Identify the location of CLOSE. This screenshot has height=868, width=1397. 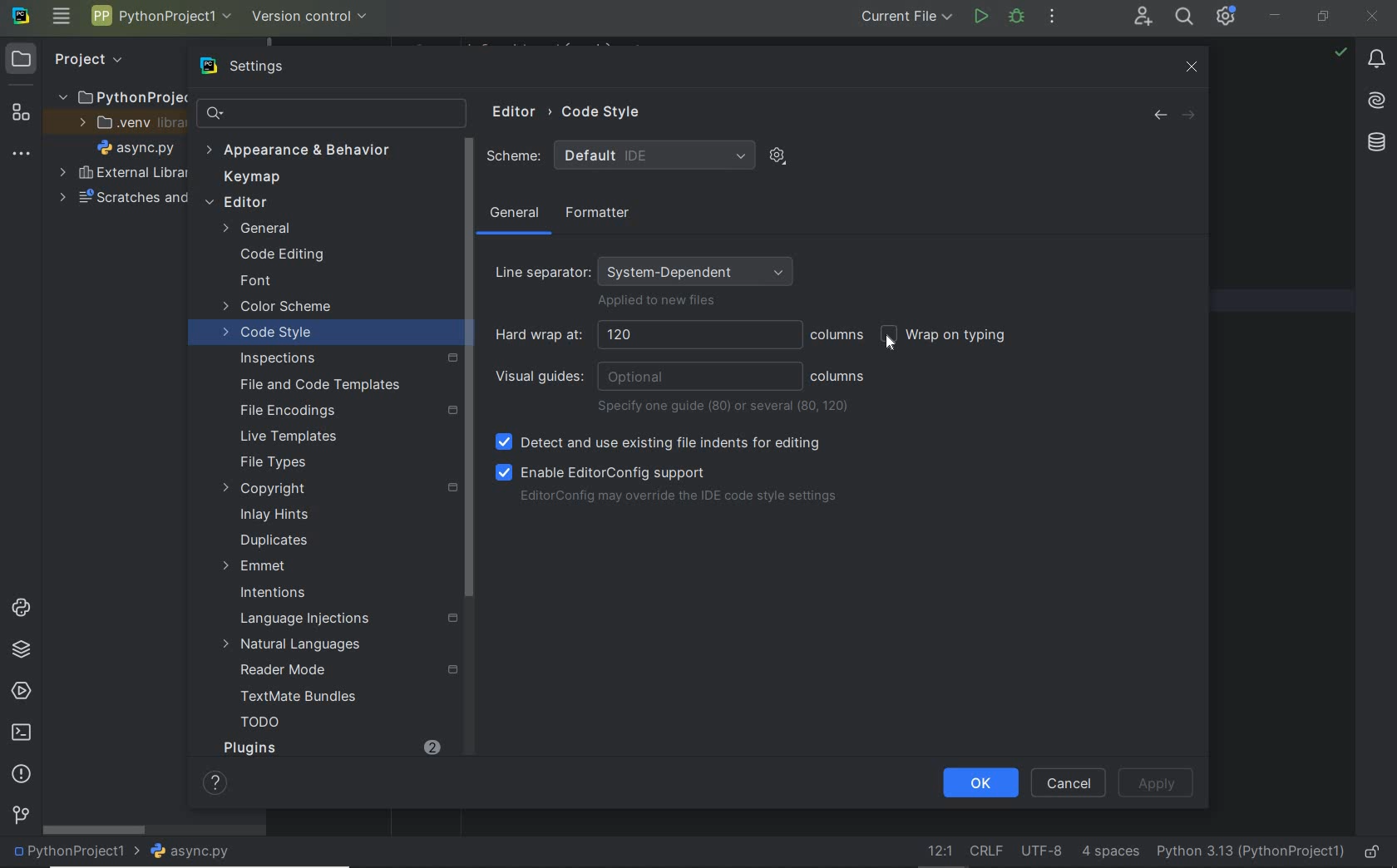
(1373, 15).